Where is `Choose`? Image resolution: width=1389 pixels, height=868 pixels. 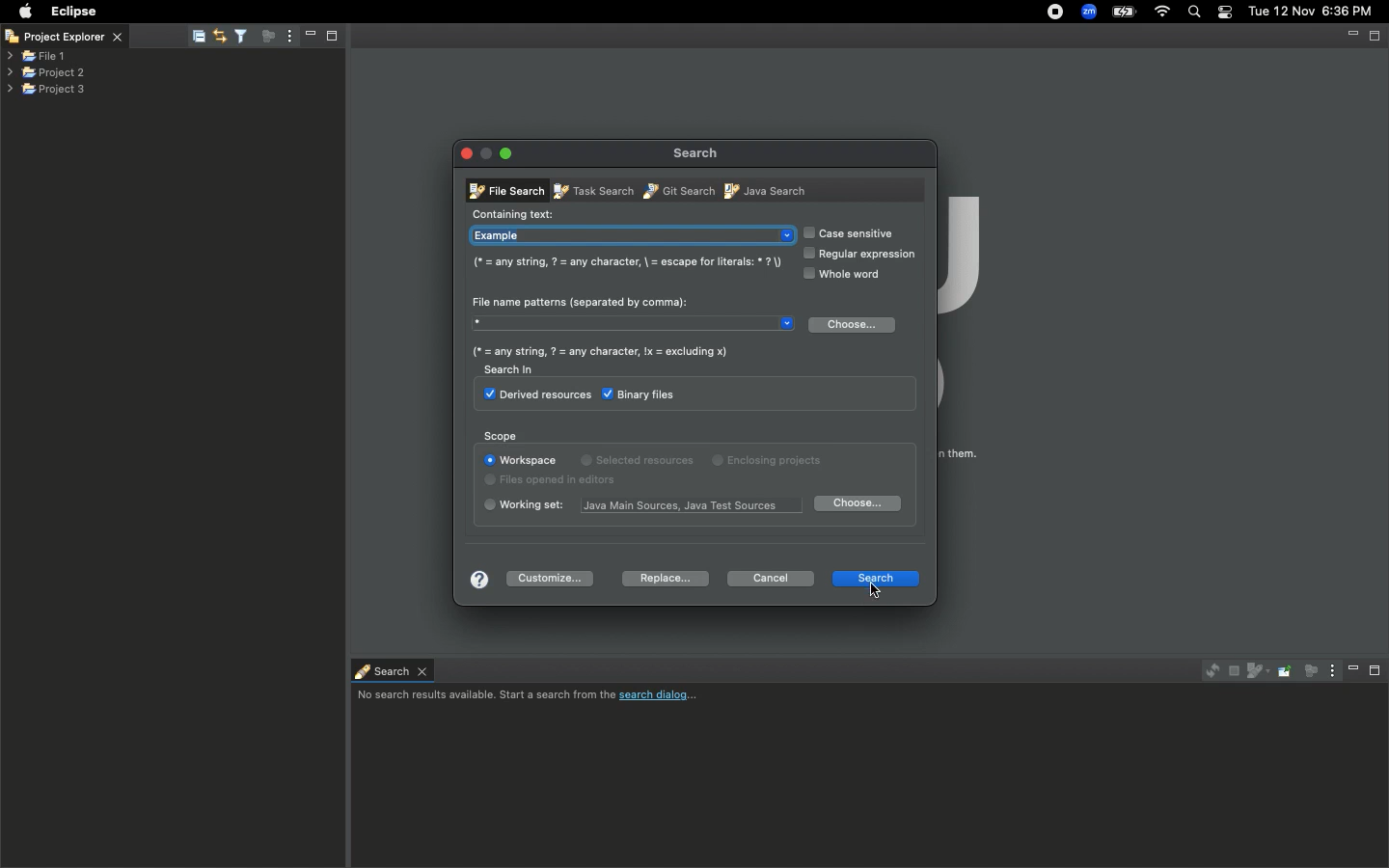 Choose is located at coordinates (857, 327).